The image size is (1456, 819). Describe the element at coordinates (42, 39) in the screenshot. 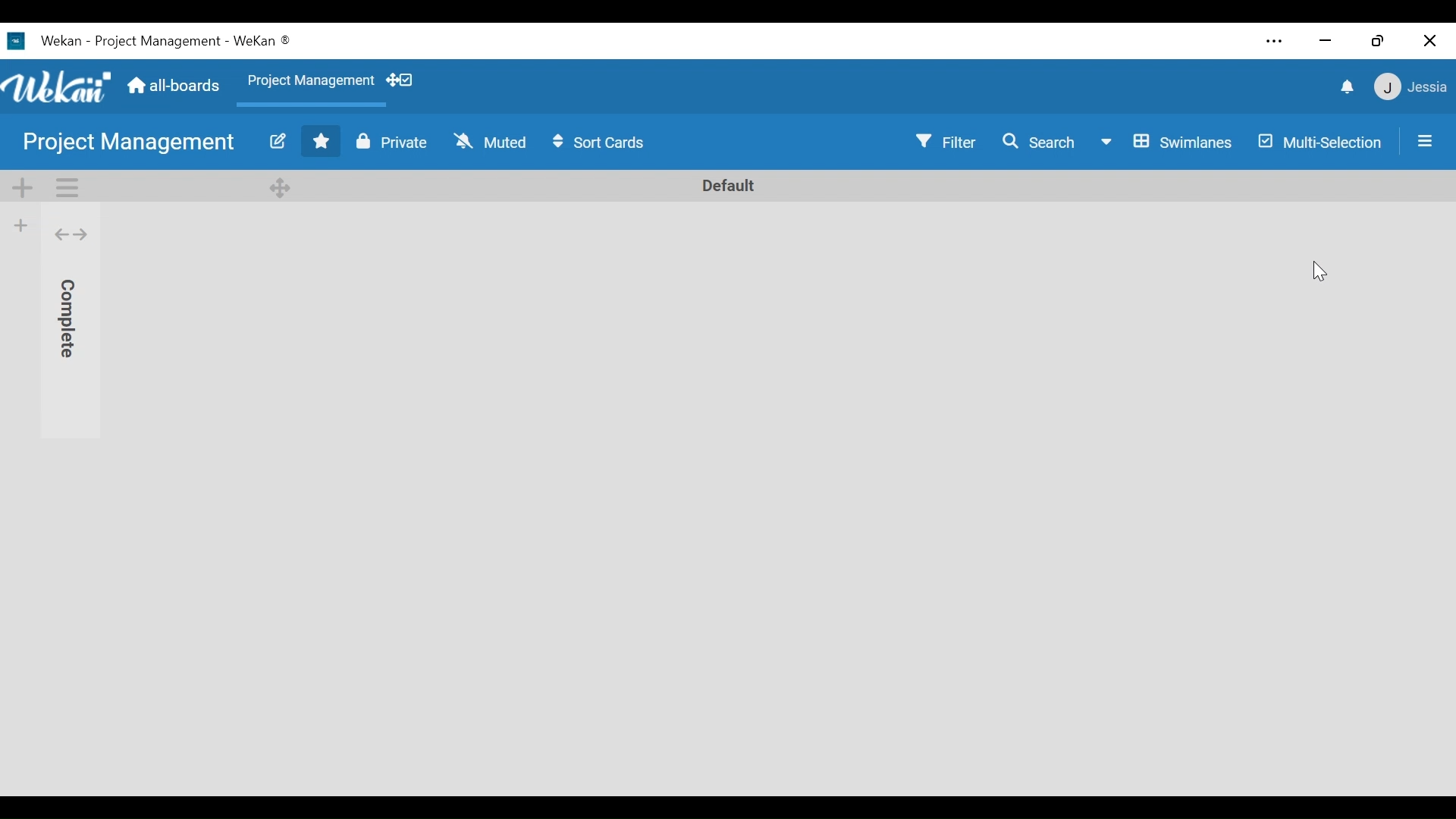

I see `Wekan Desktop icon` at that location.